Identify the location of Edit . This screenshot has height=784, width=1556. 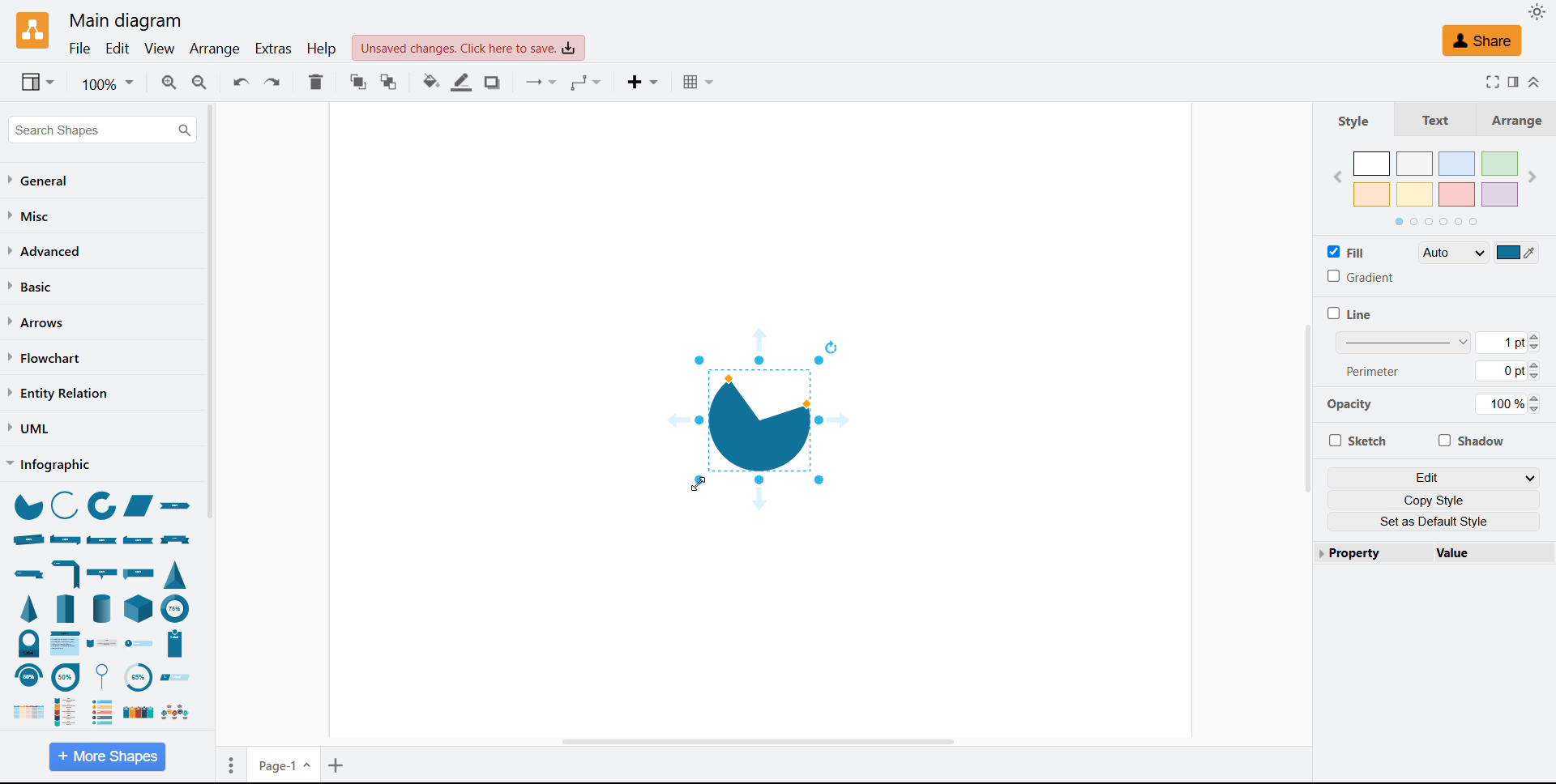
(118, 49).